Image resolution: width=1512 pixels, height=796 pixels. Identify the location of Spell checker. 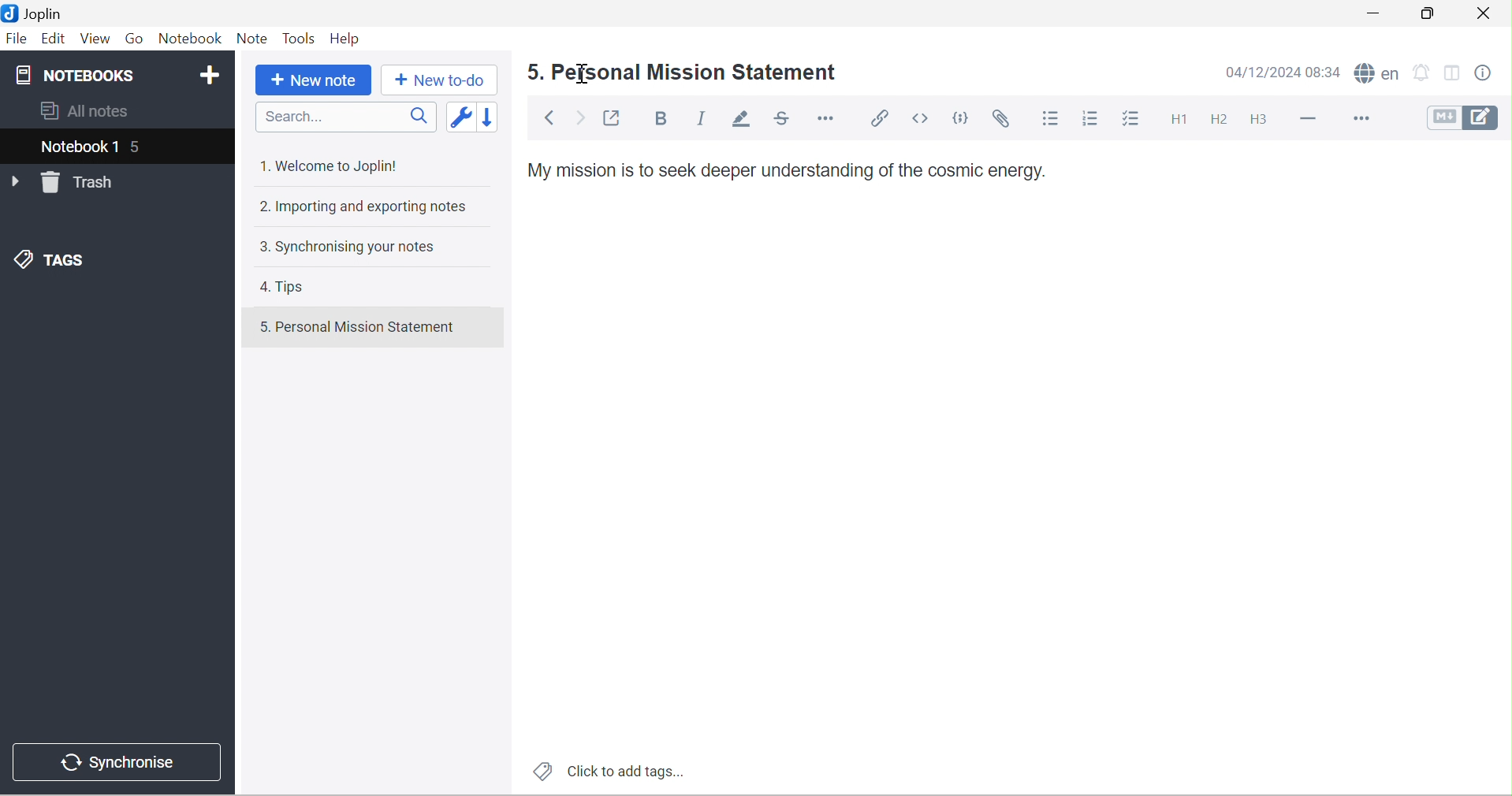
(1375, 73).